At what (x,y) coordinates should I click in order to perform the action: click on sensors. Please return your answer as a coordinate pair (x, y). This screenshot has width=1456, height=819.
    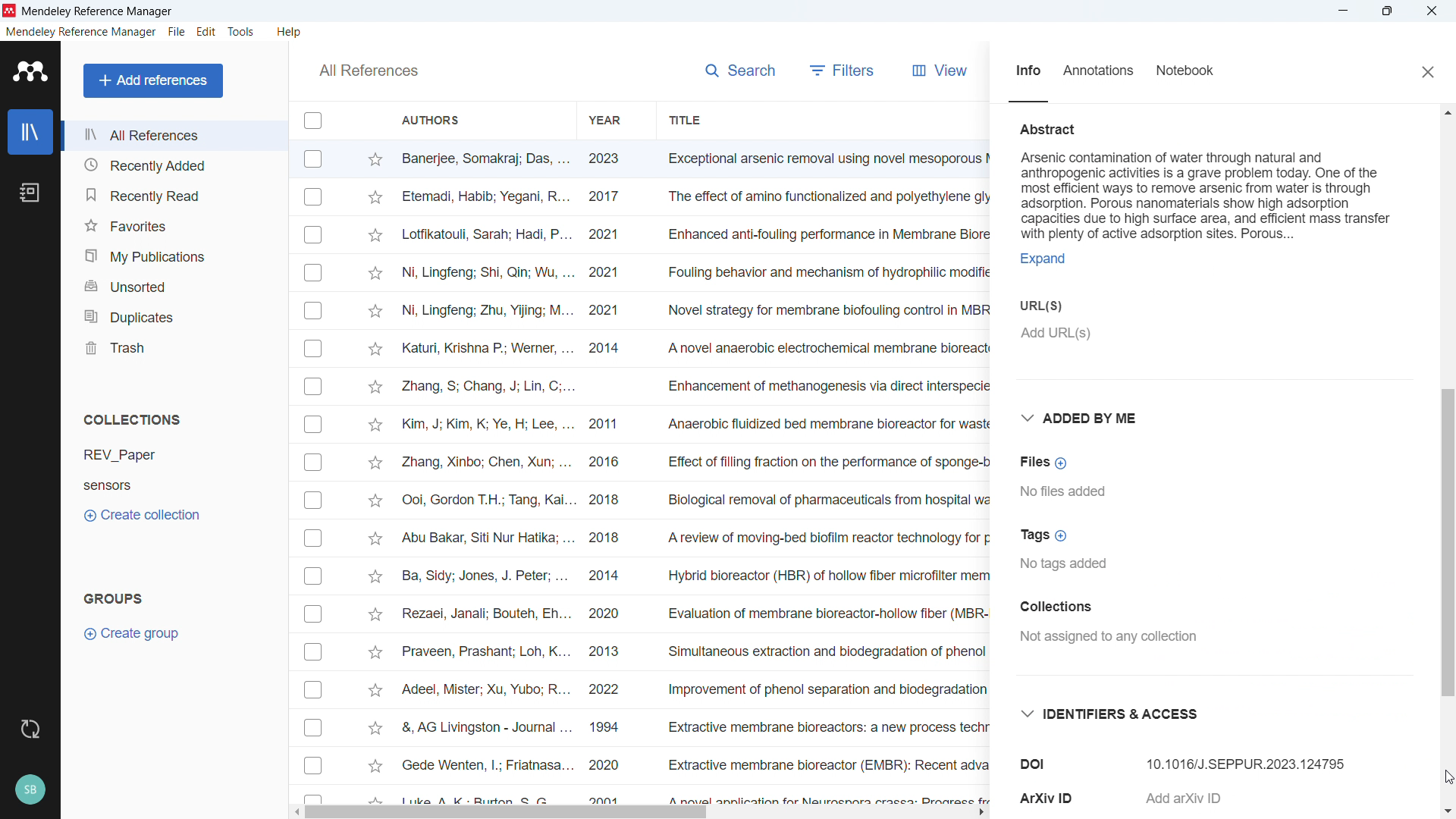
    Looking at the image, I should click on (133, 485).